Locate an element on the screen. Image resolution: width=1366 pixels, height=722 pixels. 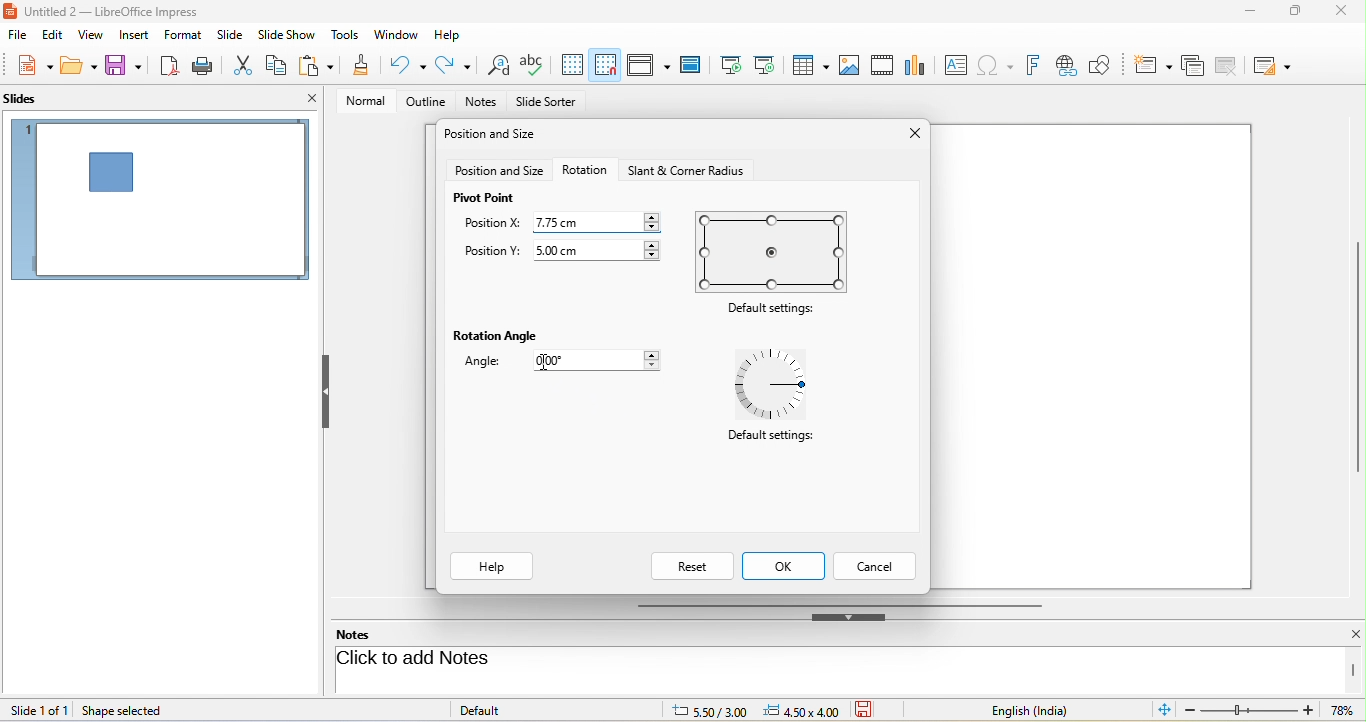
find and replace is located at coordinates (496, 67).